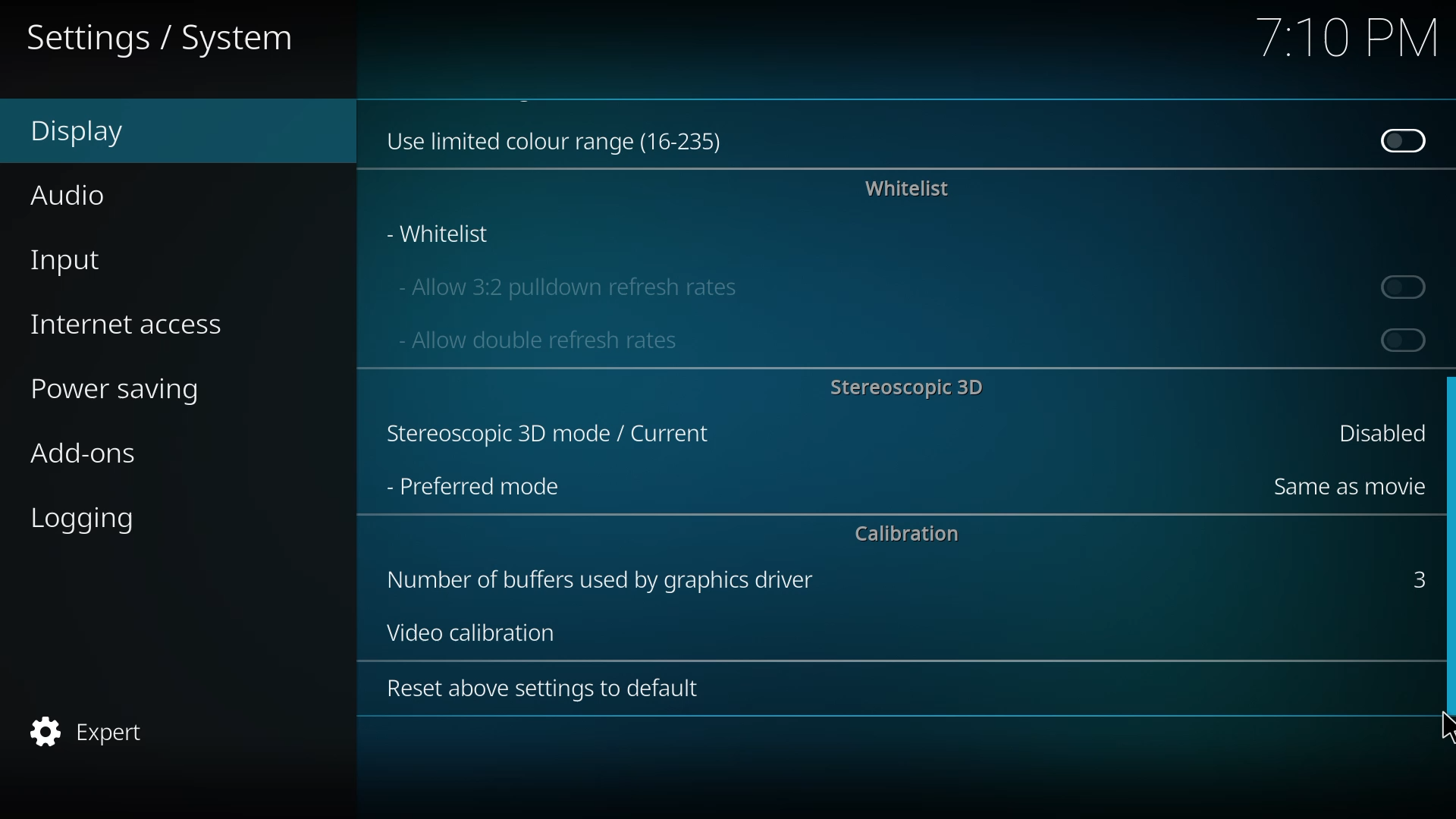 This screenshot has width=1456, height=819. Describe the element at coordinates (542, 689) in the screenshot. I see `reset` at that location.